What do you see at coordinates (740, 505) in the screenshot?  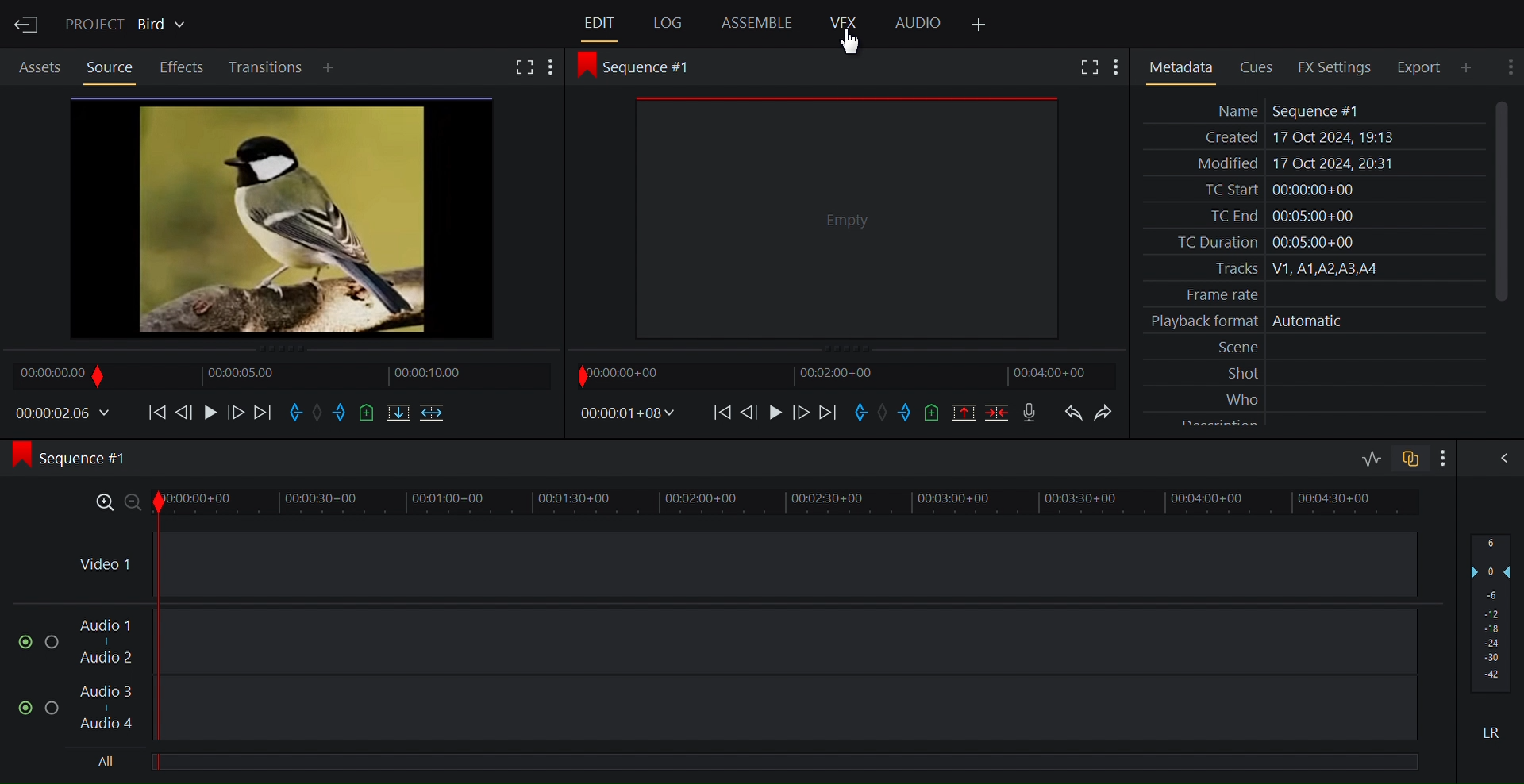 I see `Zoom Timeline` at bounding box center [740, 505].